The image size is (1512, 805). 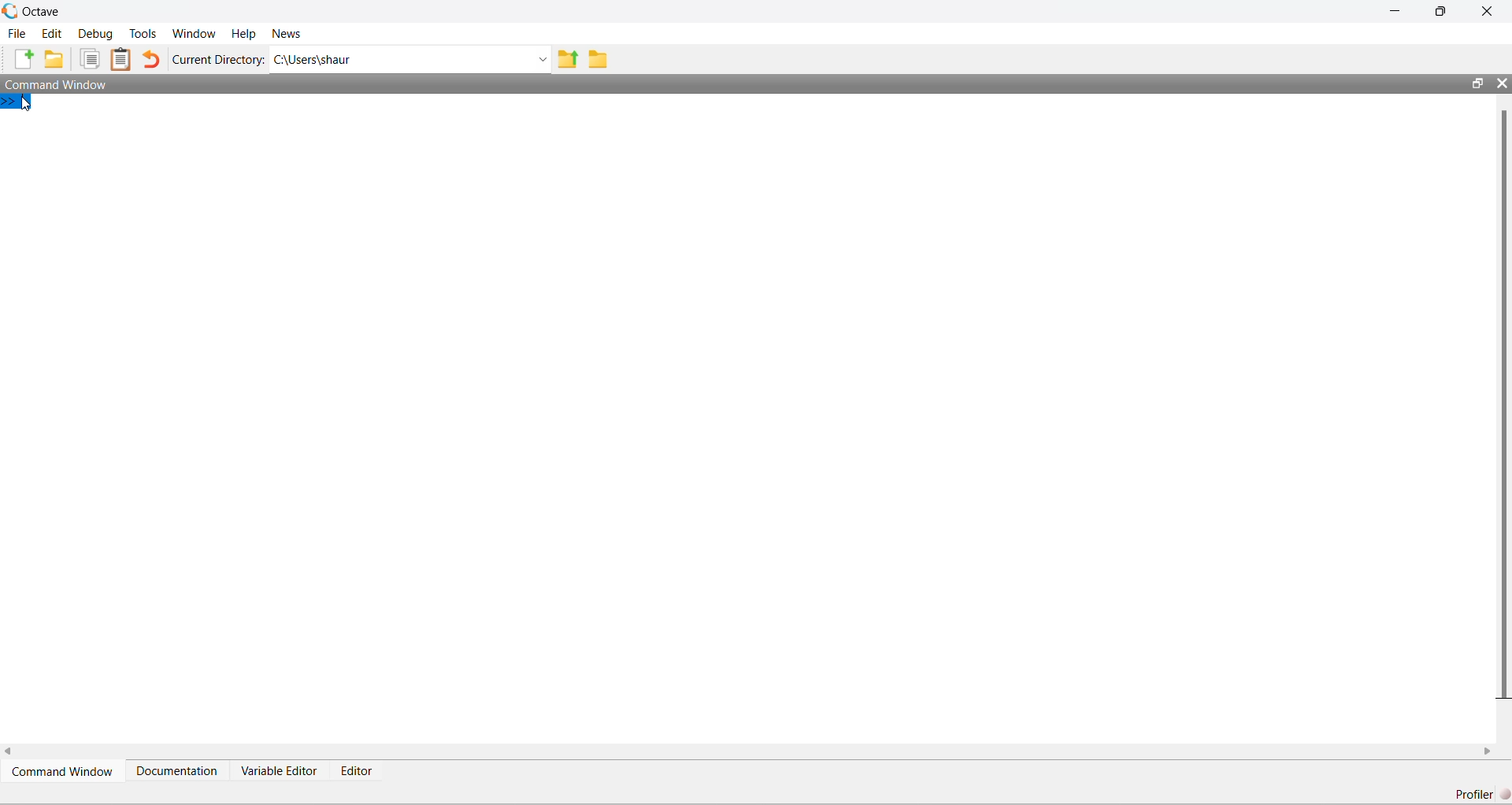 I want to click on scroll left, so click(x=11, y=751).